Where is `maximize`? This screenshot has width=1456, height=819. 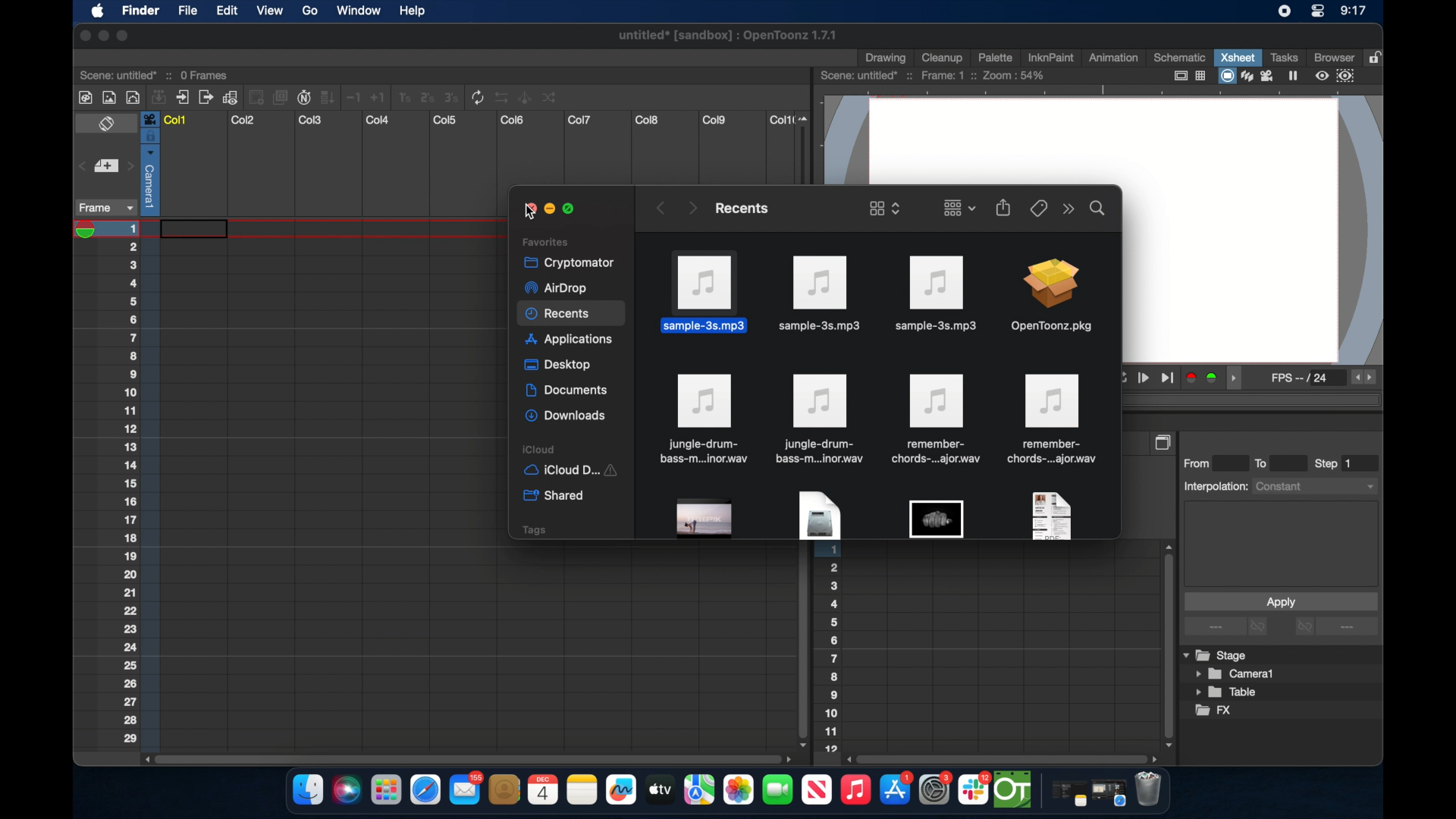
maximize is located at coordinates (572, 209).